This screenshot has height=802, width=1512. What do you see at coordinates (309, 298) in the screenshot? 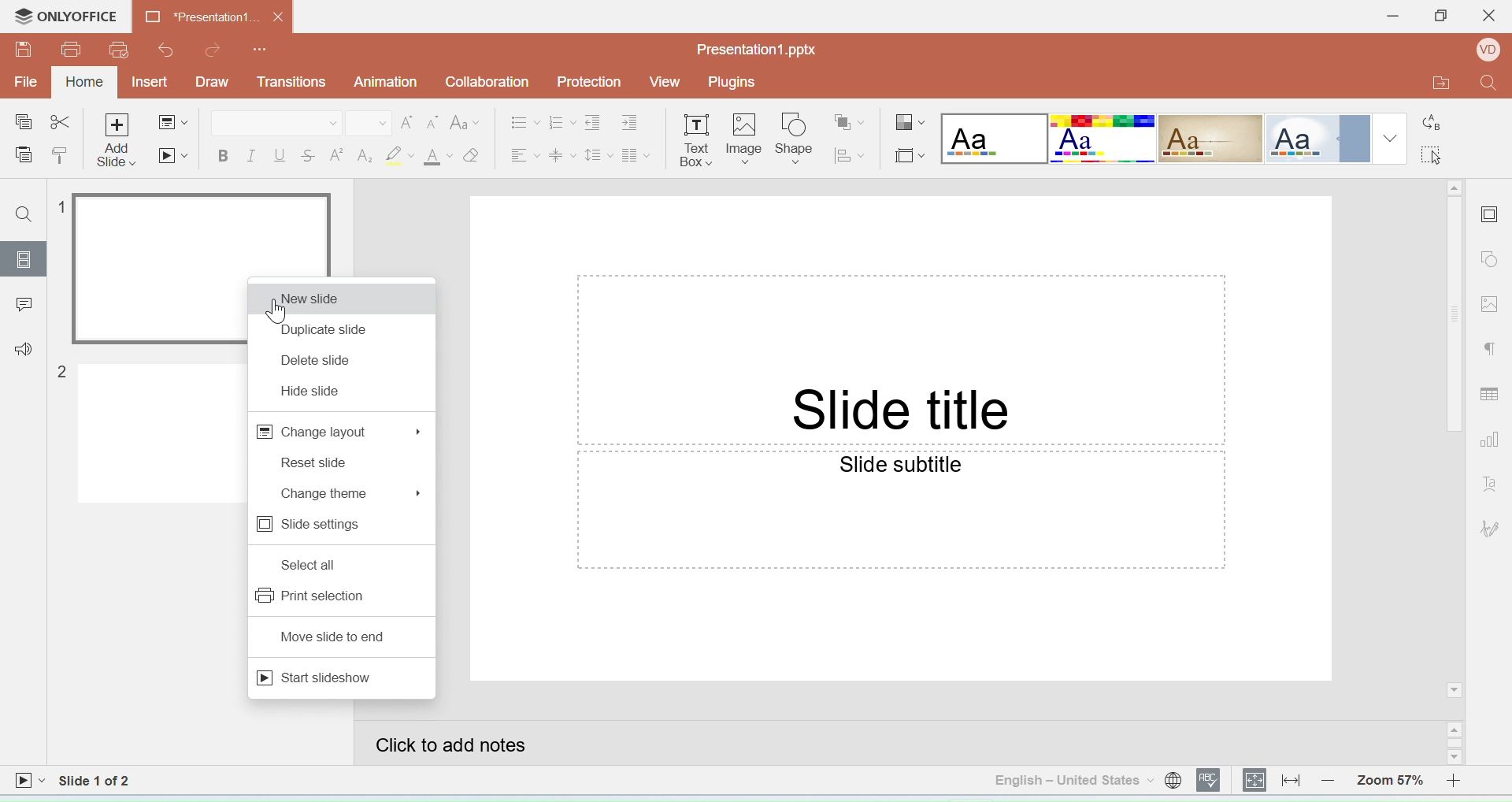
I see `new slide` at bounding box center [309, 298].